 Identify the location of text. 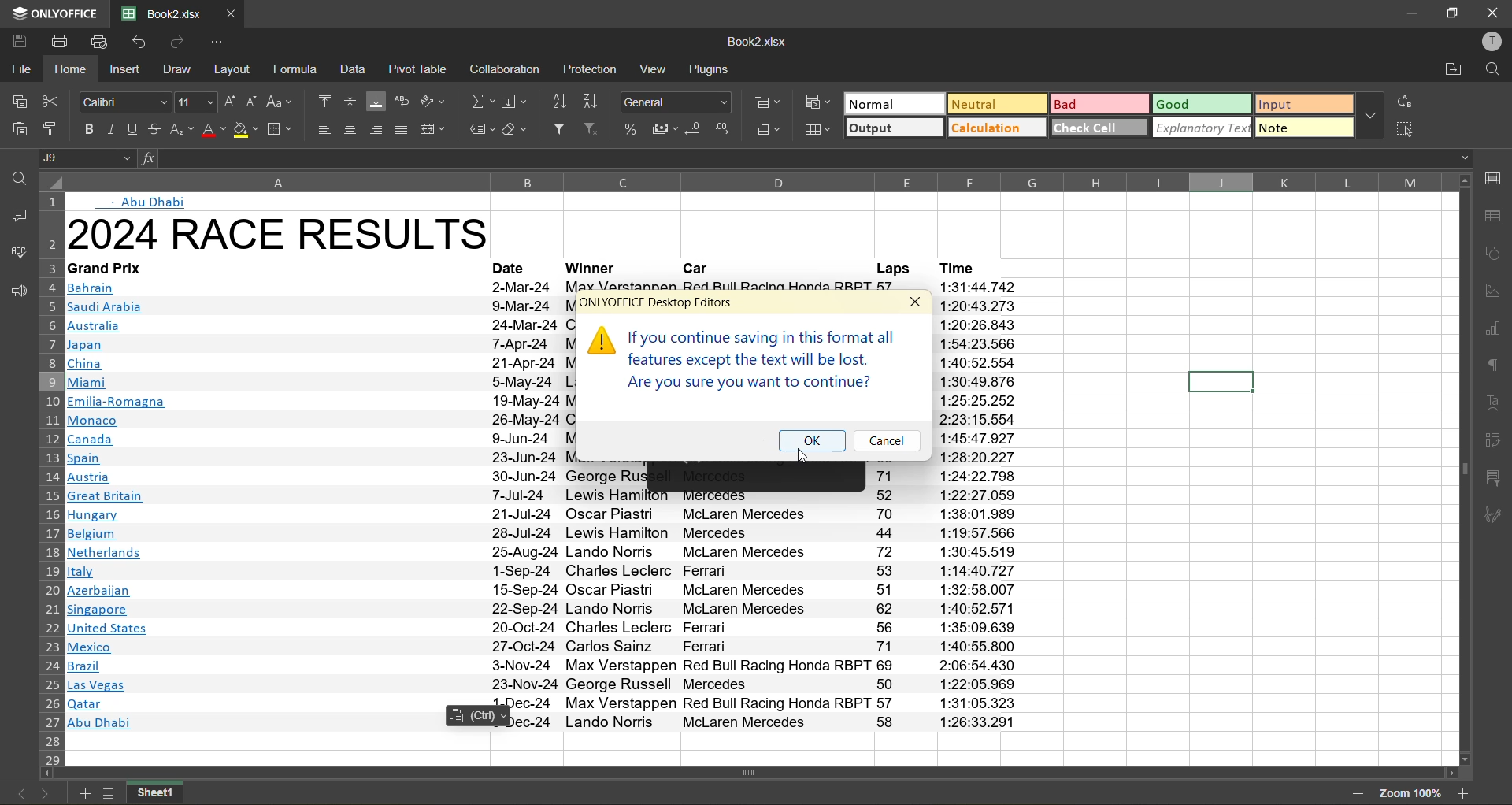
(113, 267).